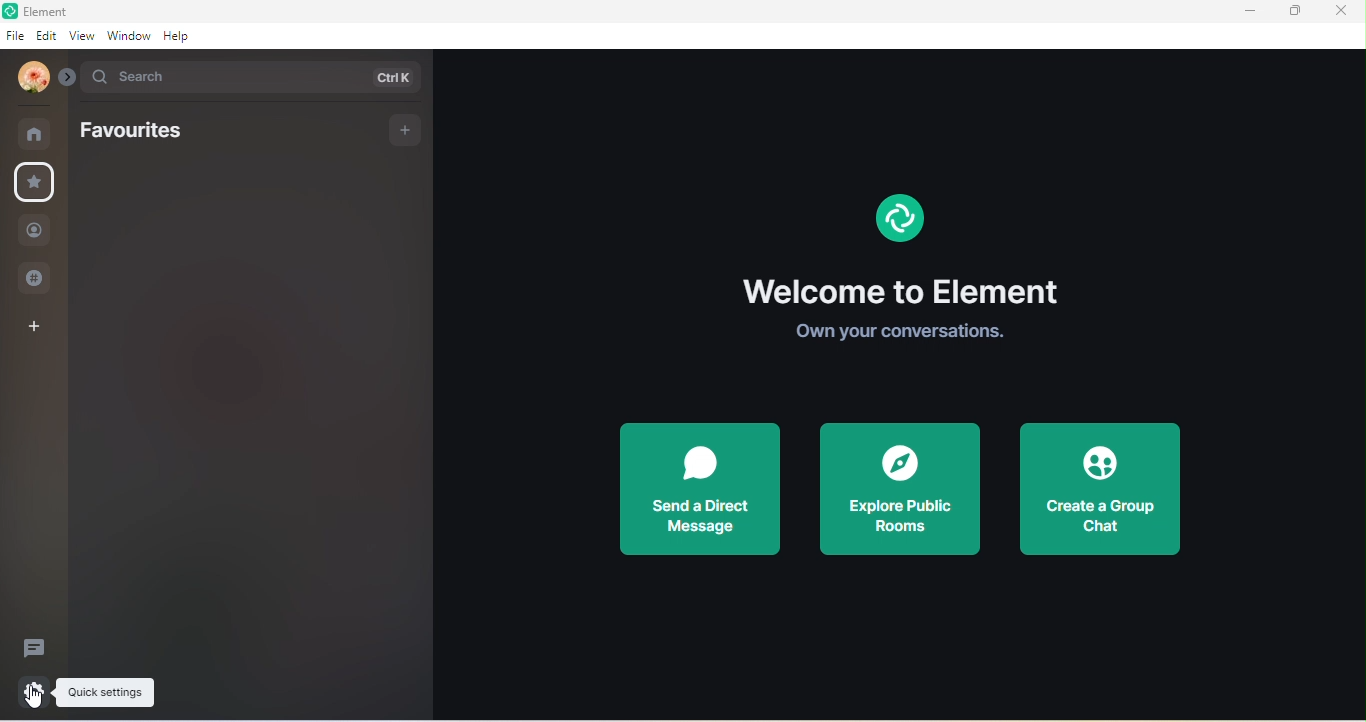  I want to click on add, so click(407, 128).